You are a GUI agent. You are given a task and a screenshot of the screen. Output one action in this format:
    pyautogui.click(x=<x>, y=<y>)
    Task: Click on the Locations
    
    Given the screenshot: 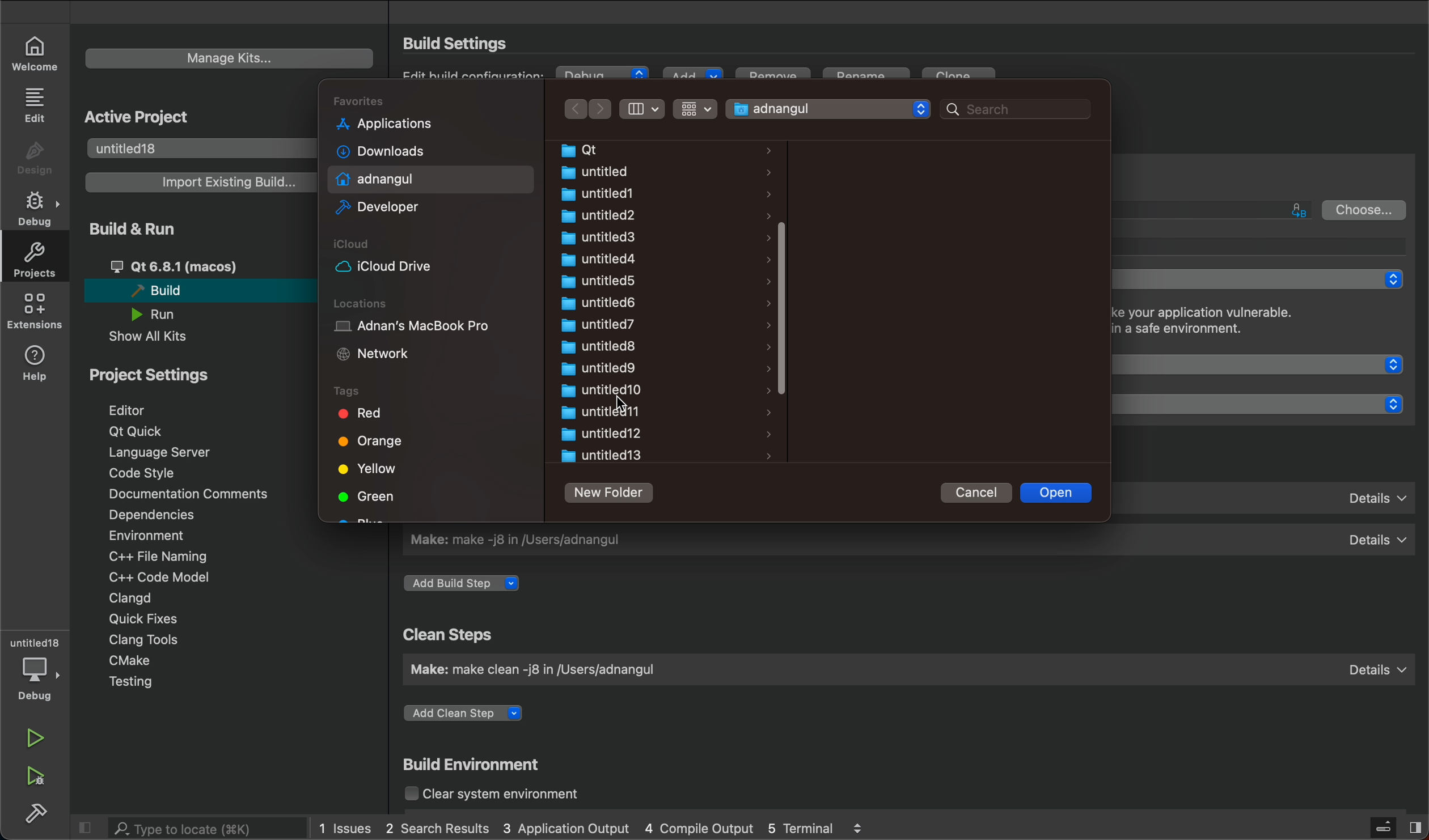 What is the action you would take?
    pyautogui.click(x=362, y=303)
    